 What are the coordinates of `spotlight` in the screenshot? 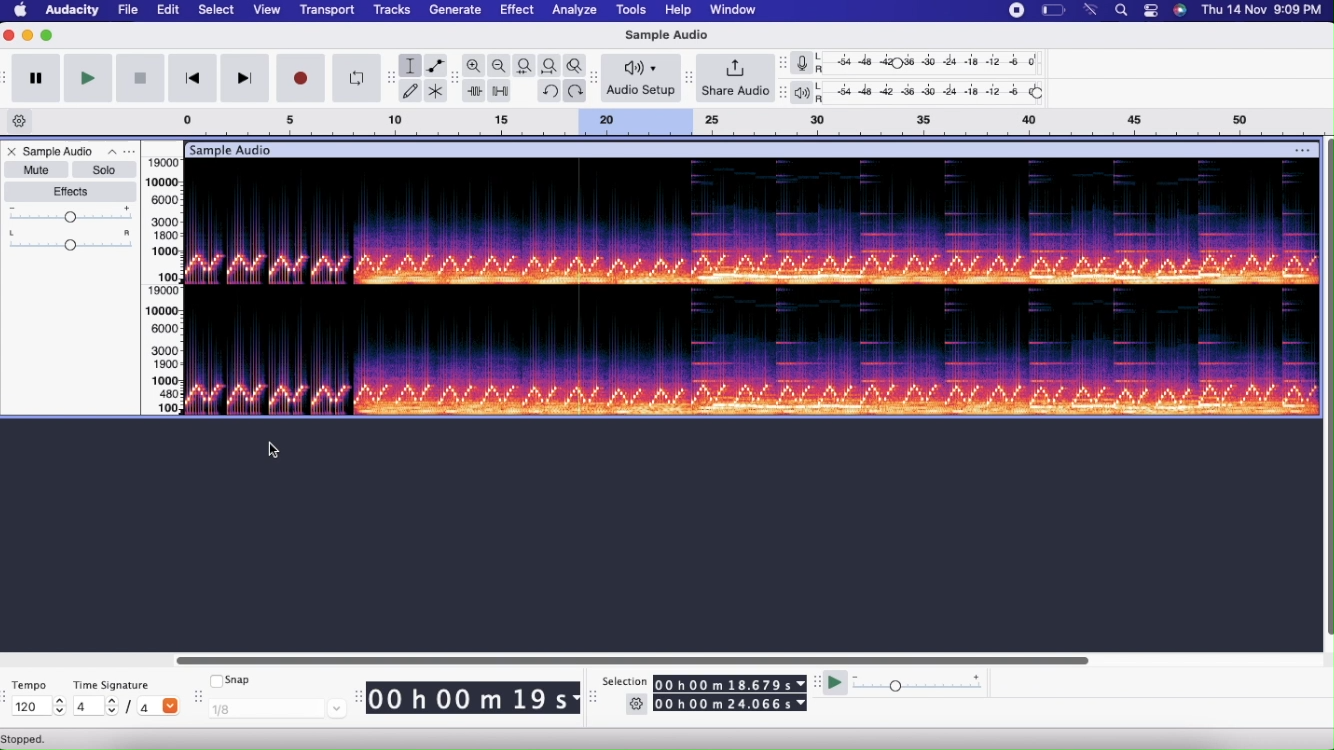 It's located at (1123, 10).